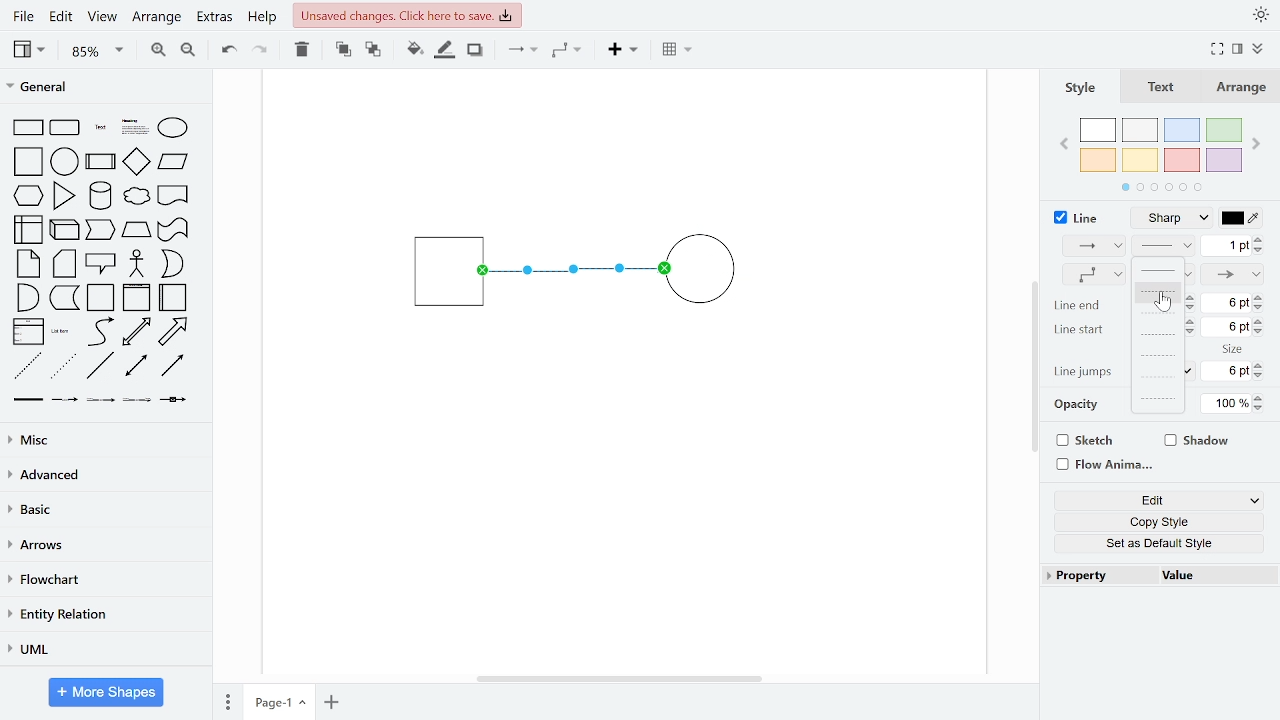 The width and height of the screenshot is (1280, 720). What do you see at coordinates (302, 49) in the screenshot?
I see `delete` at bounding box center [302, 49].